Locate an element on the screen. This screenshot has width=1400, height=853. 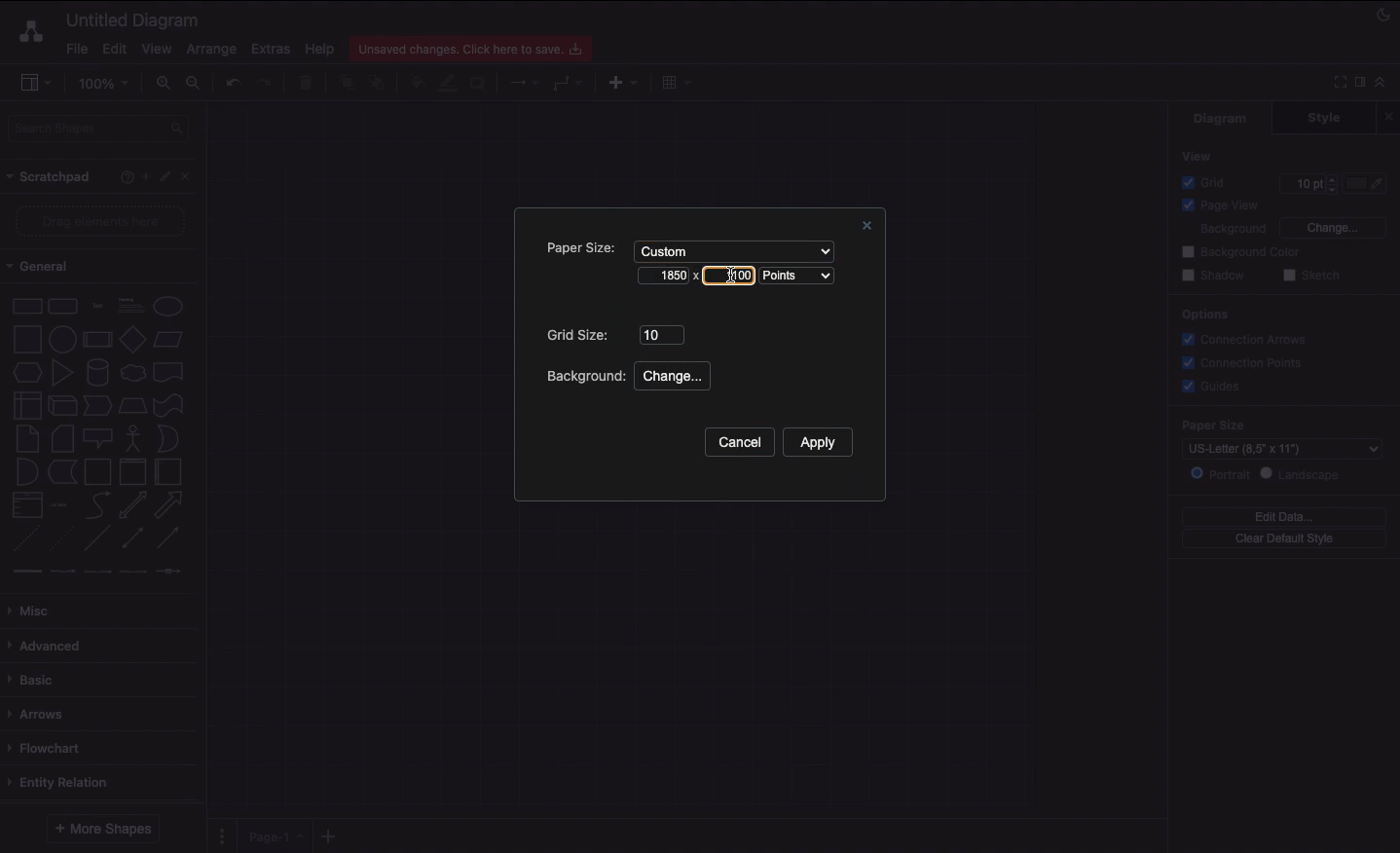
Internal storage is located at coordinates (26, 404).